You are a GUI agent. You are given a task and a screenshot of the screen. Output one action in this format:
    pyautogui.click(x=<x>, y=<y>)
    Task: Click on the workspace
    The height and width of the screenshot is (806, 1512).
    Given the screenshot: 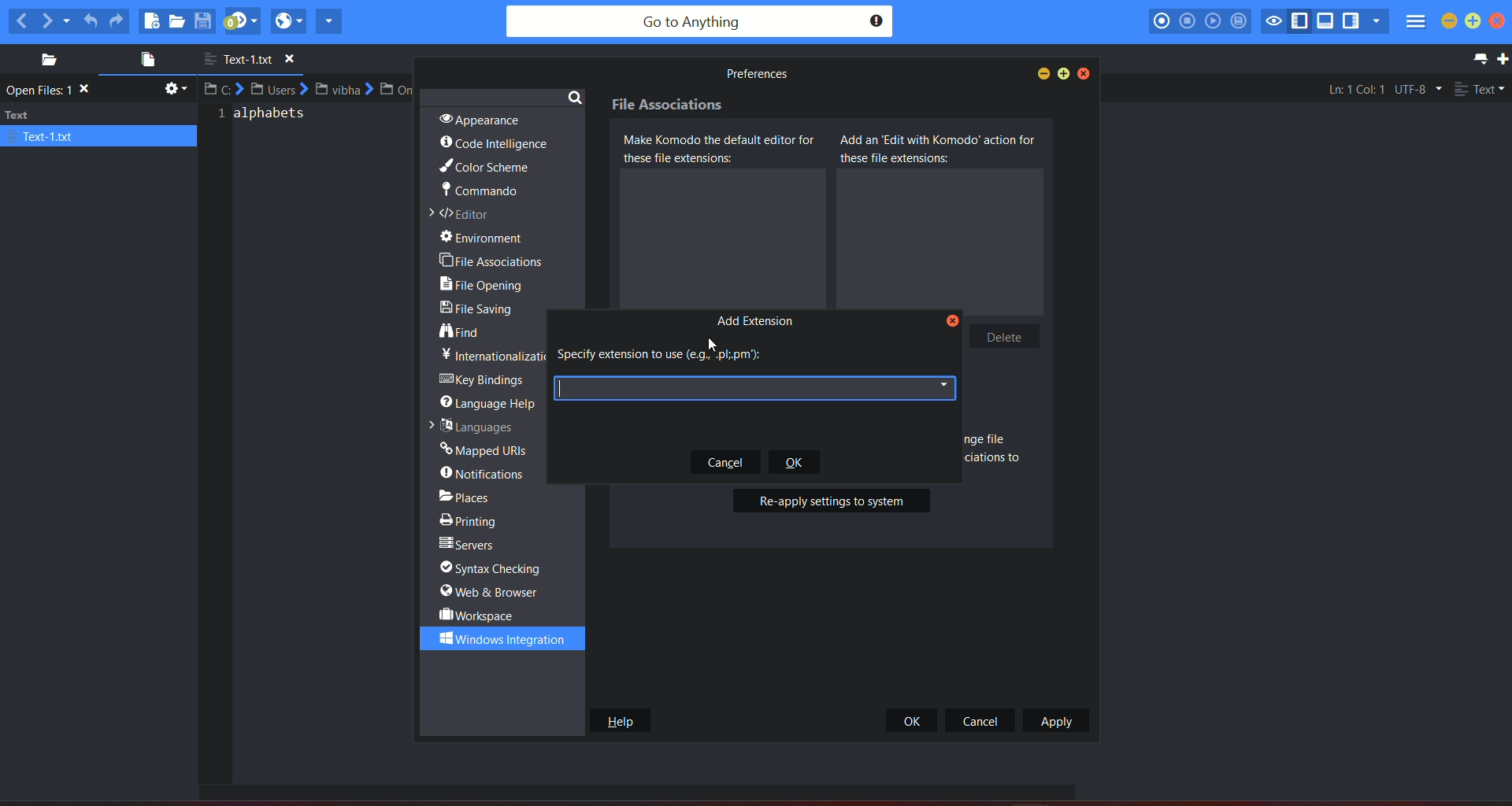 What is the action you would take?
    pyautogui.click(x=479, y=615)
    